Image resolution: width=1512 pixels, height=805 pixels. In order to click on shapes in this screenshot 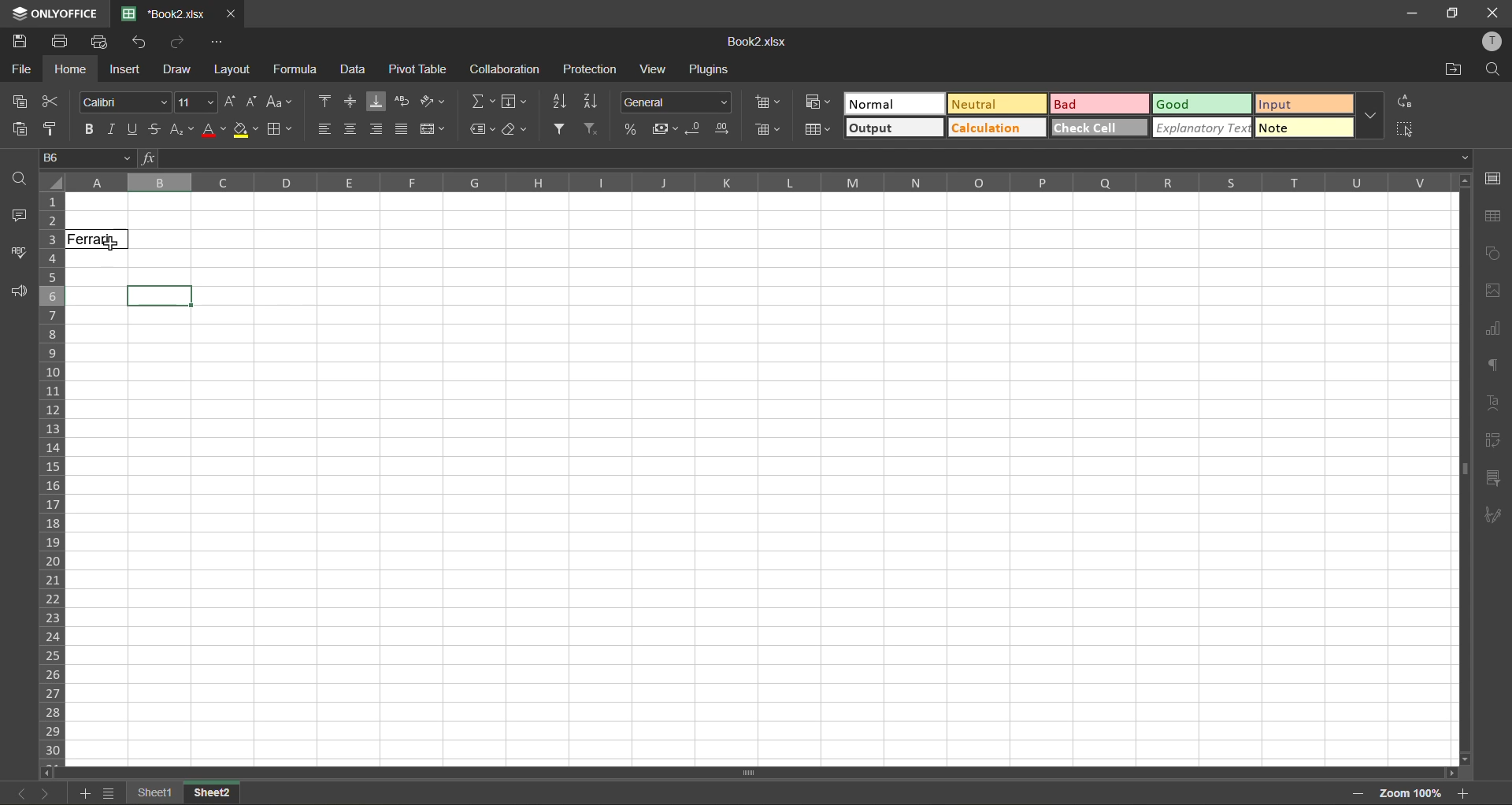, I will do `click(1492, 251)`.